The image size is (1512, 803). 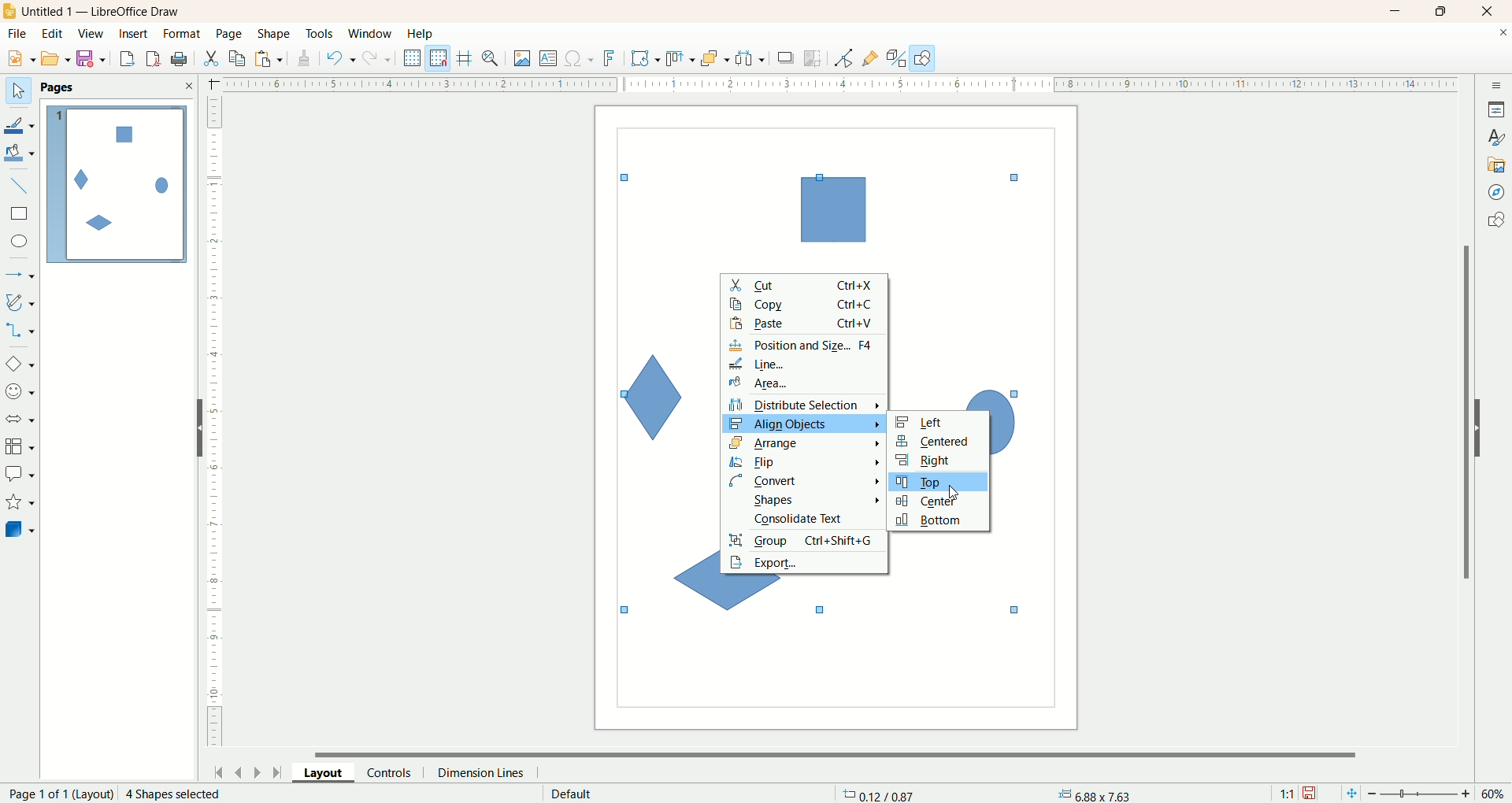 I want to click on close, so click(x=1491, y=12).